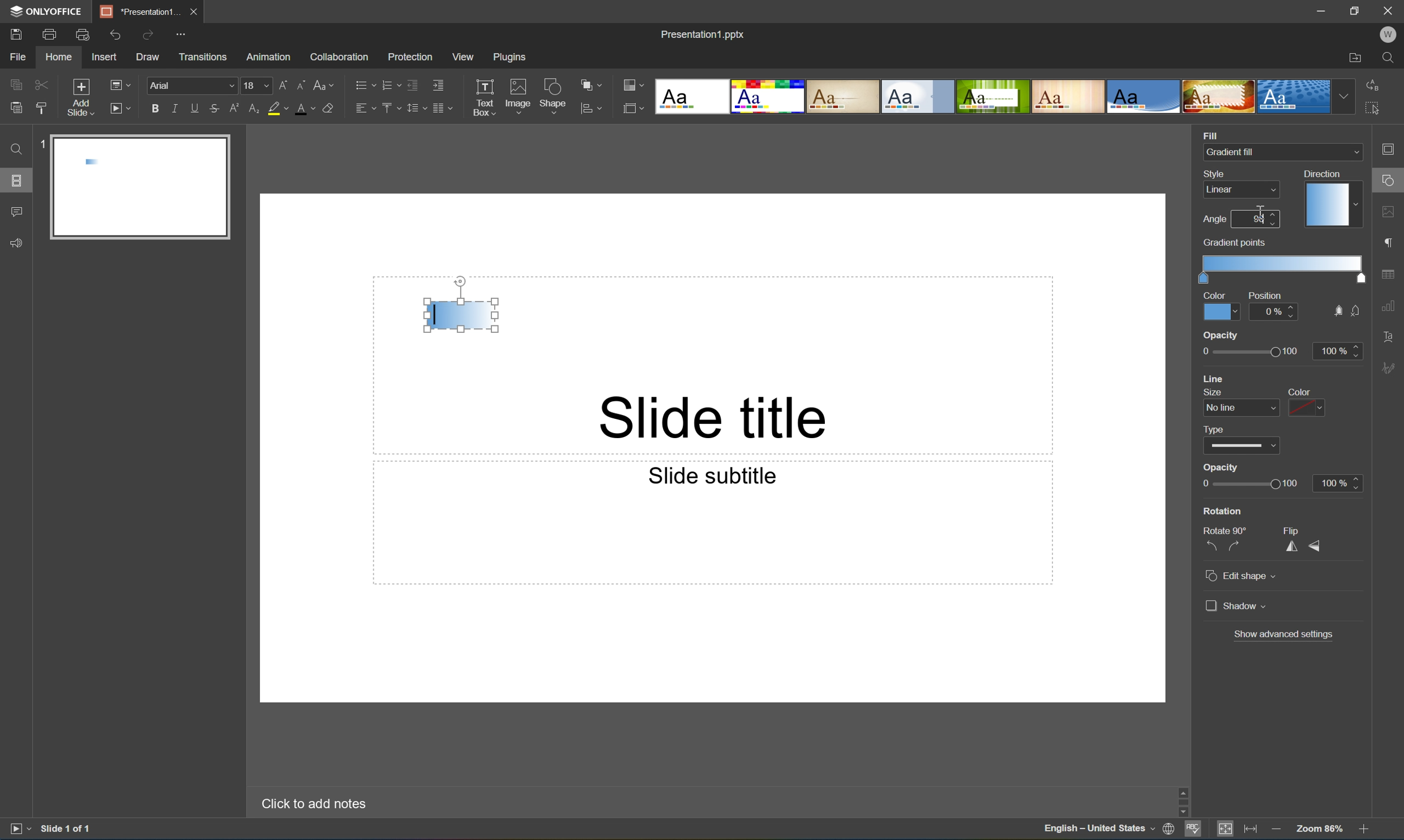 This screenshot has width=1404, height=840. Describe the element at coordinates (1251, 830) in the screenshot. I see `Fit to width` at that location.